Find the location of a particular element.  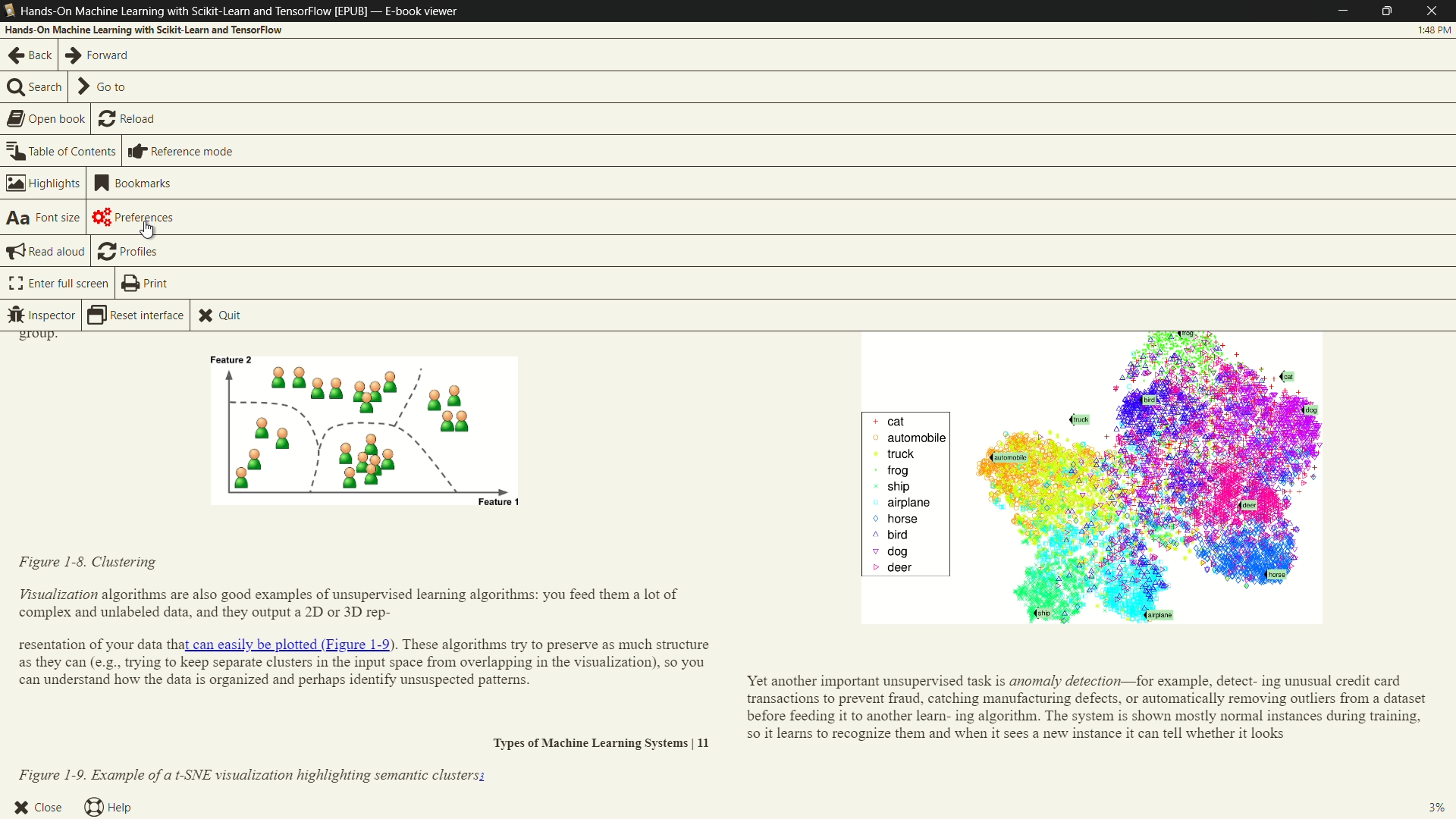

open book is located at coordinates (46, 119).